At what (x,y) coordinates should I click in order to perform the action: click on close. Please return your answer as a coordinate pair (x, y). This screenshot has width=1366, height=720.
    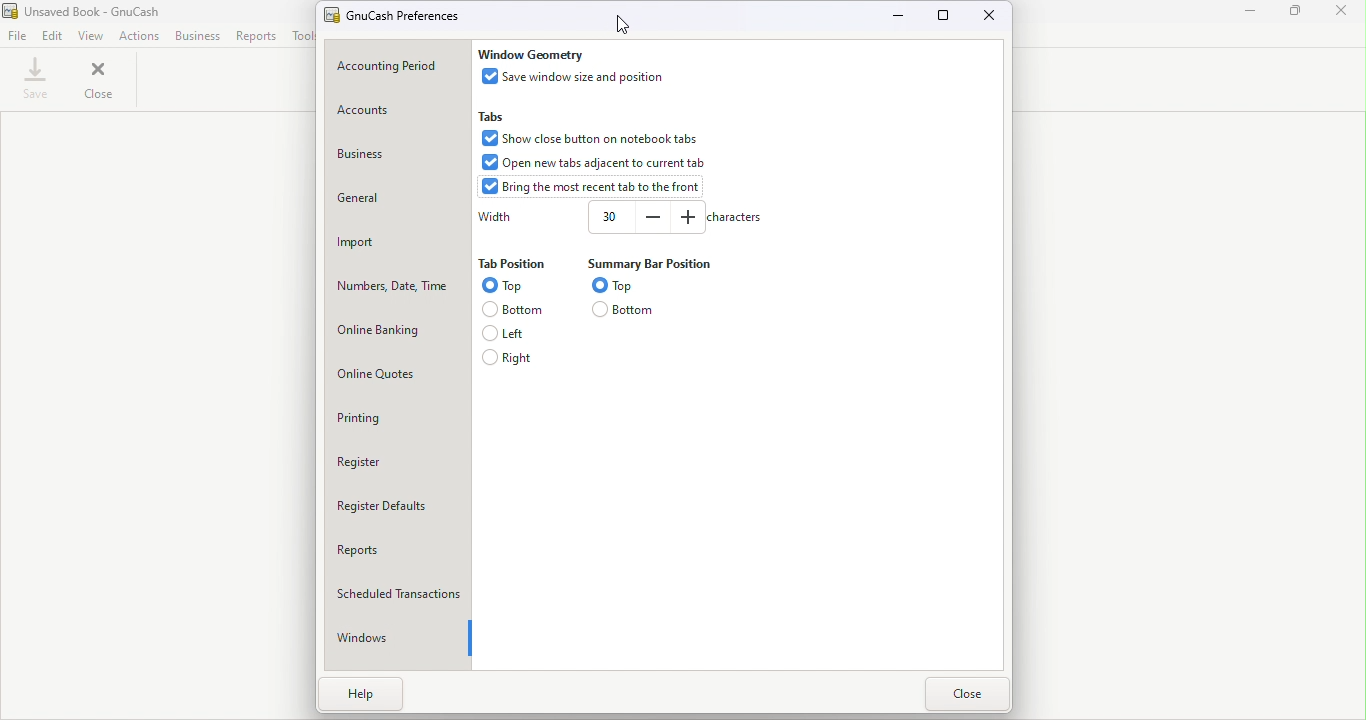
    Looking at the image, I should click on (102, 78).